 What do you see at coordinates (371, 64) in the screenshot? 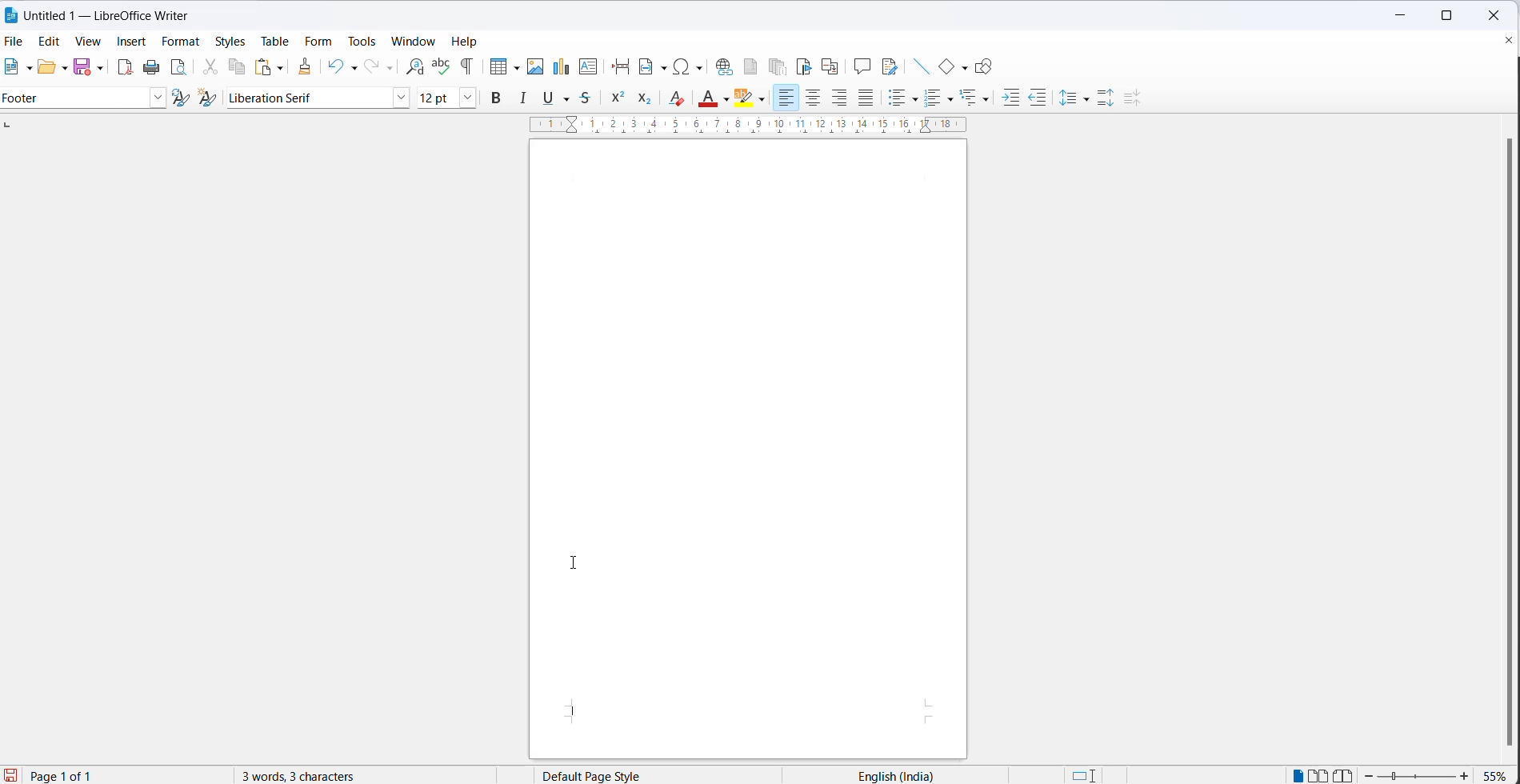
I see `redo` at bounding box center [371, 64].